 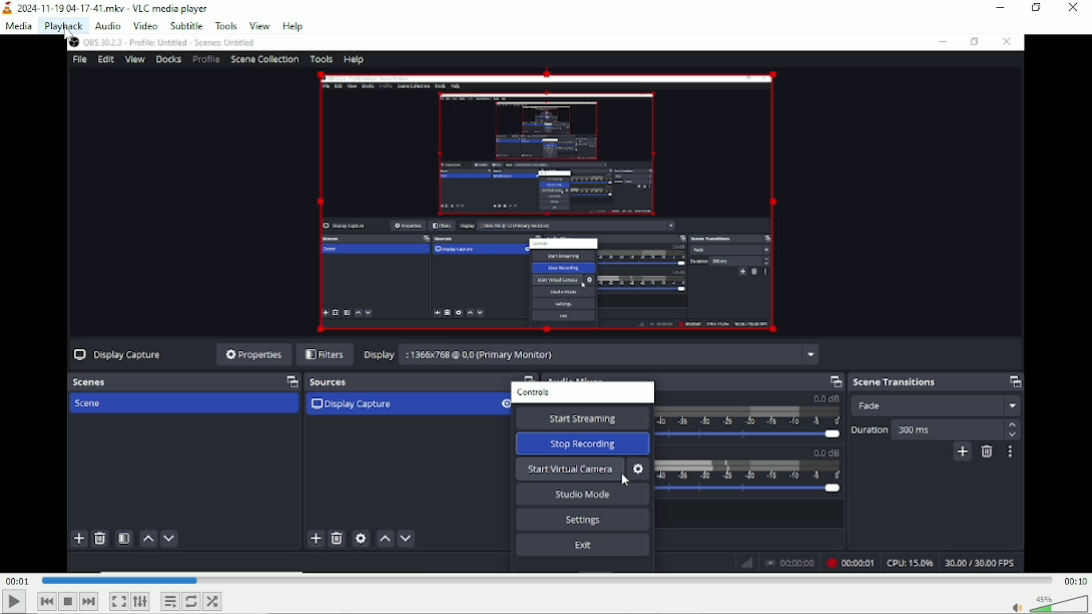 I want to click on Video, so click(x=145, y=25).